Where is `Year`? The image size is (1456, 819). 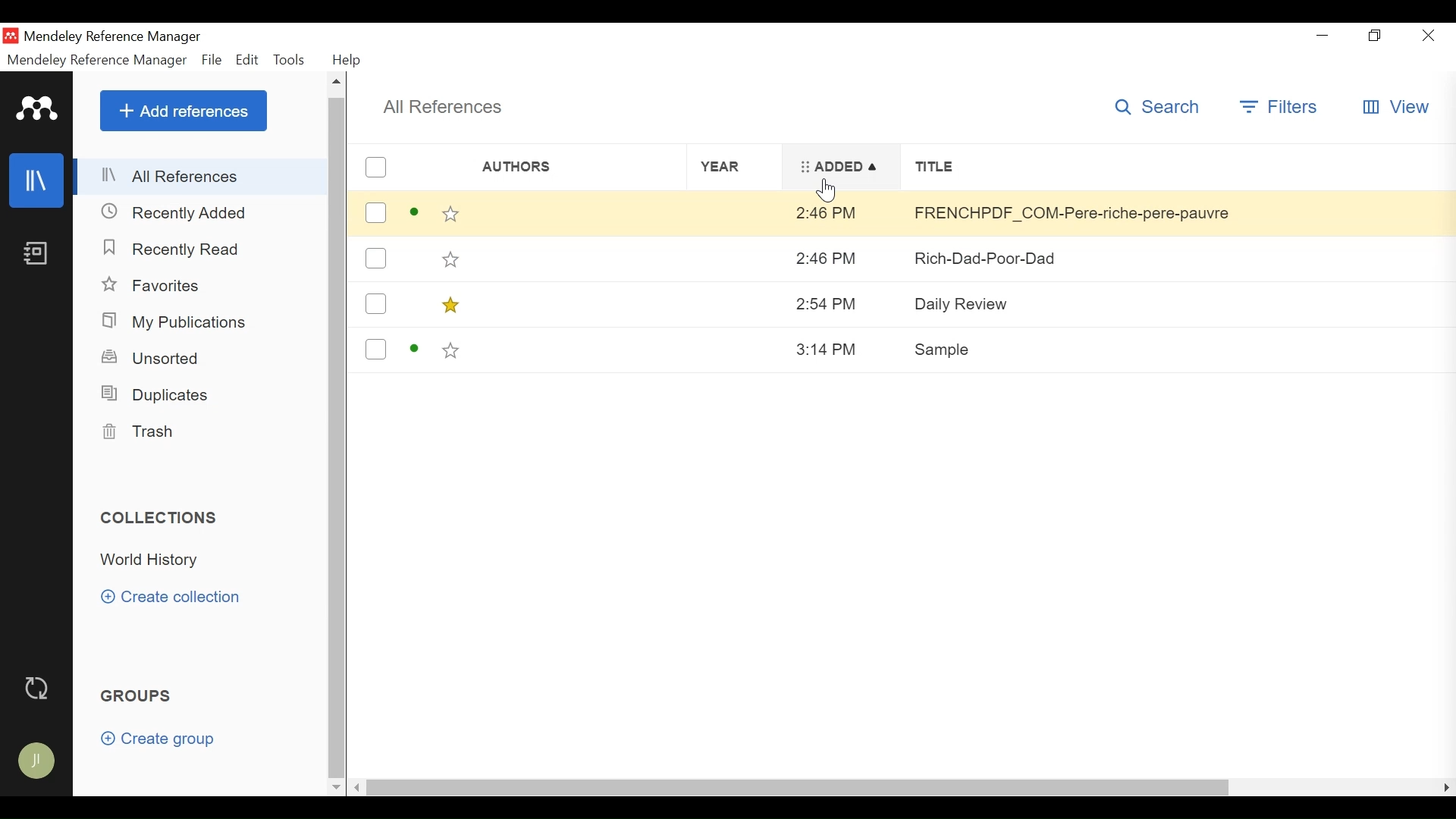
Year is located at coordinates (739, 165).